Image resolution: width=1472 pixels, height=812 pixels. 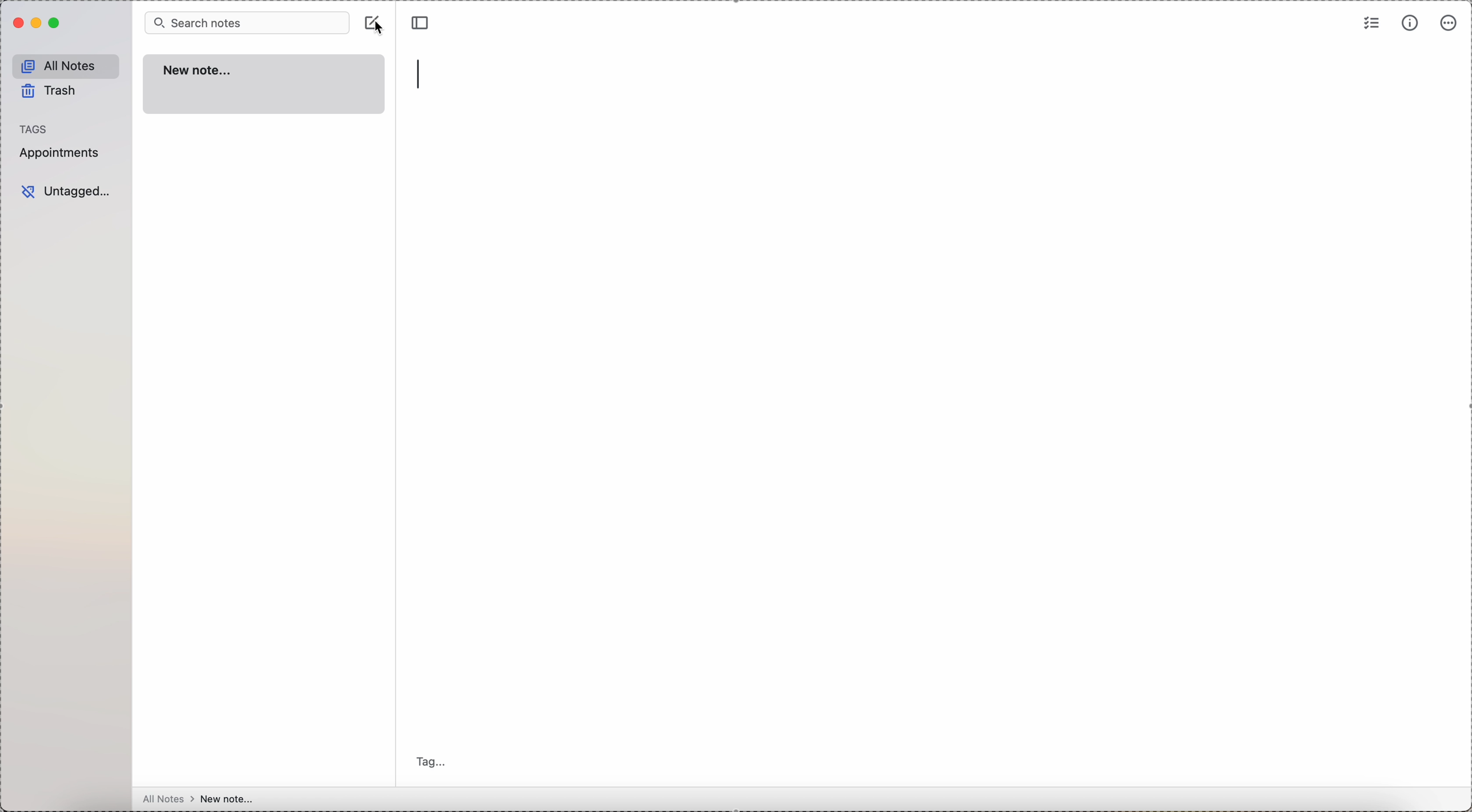 What do you see at coordinates (34, 23) in the screenshot?
I see `minimize` at bounding box center [34, 23].